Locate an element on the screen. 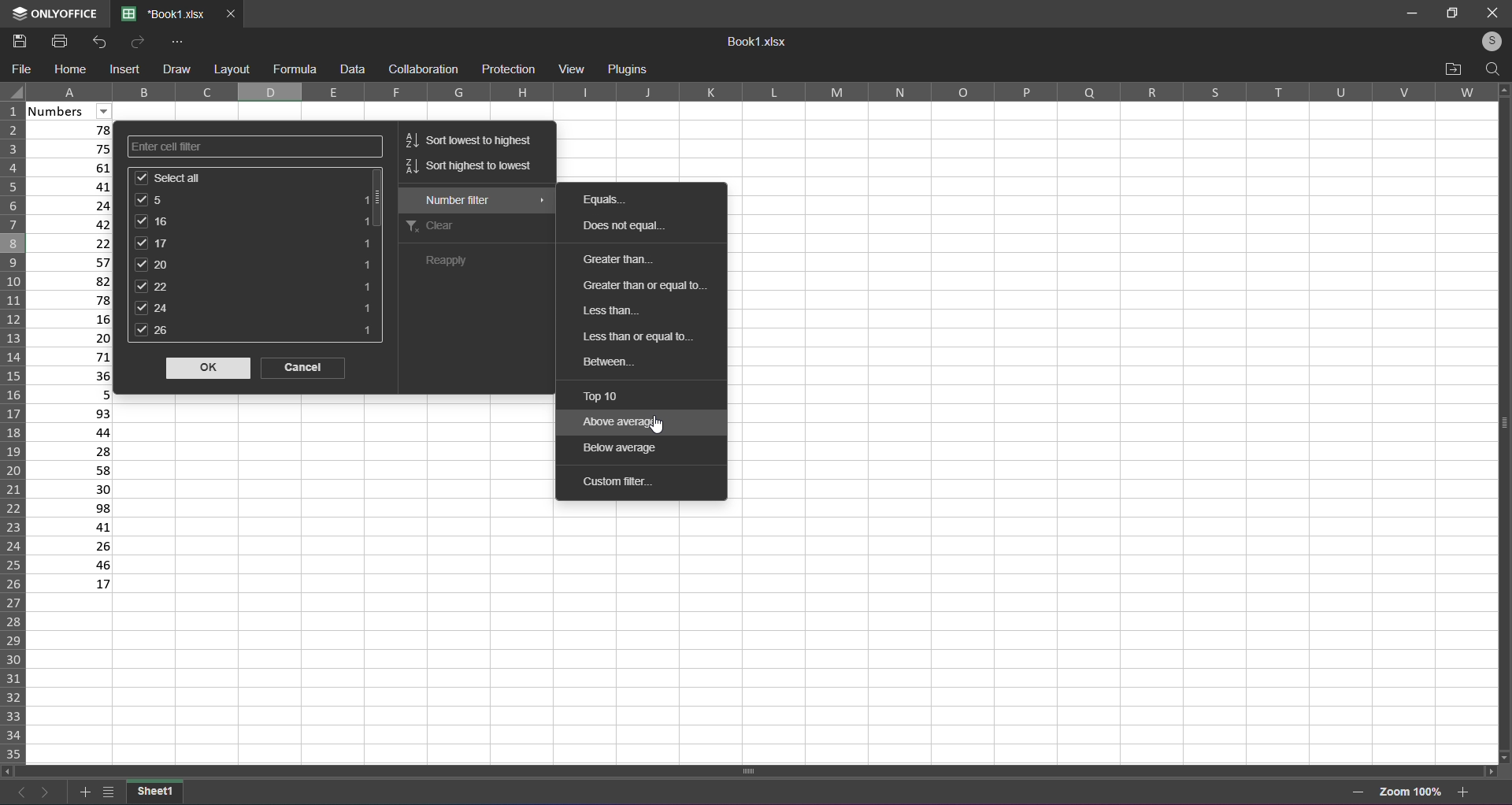  does not equal is located at coordinates (635, 226).